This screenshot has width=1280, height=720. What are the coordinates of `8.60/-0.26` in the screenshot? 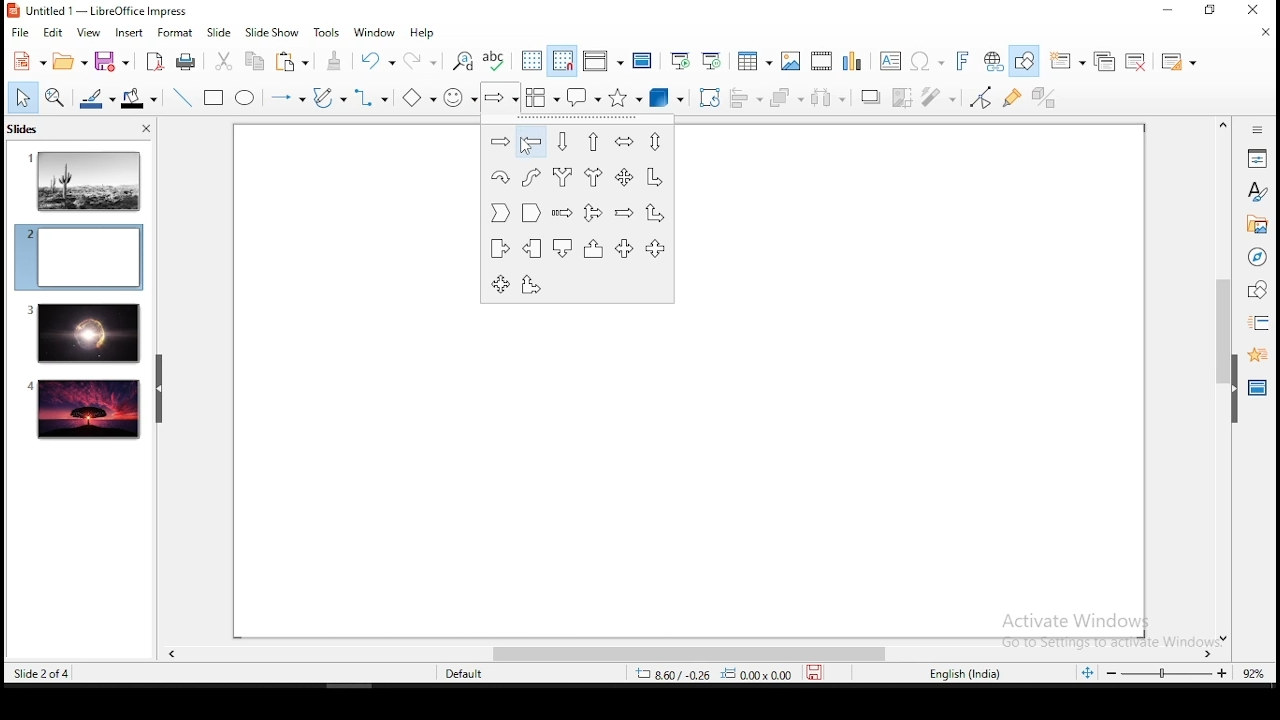 It's located at (673, 675).